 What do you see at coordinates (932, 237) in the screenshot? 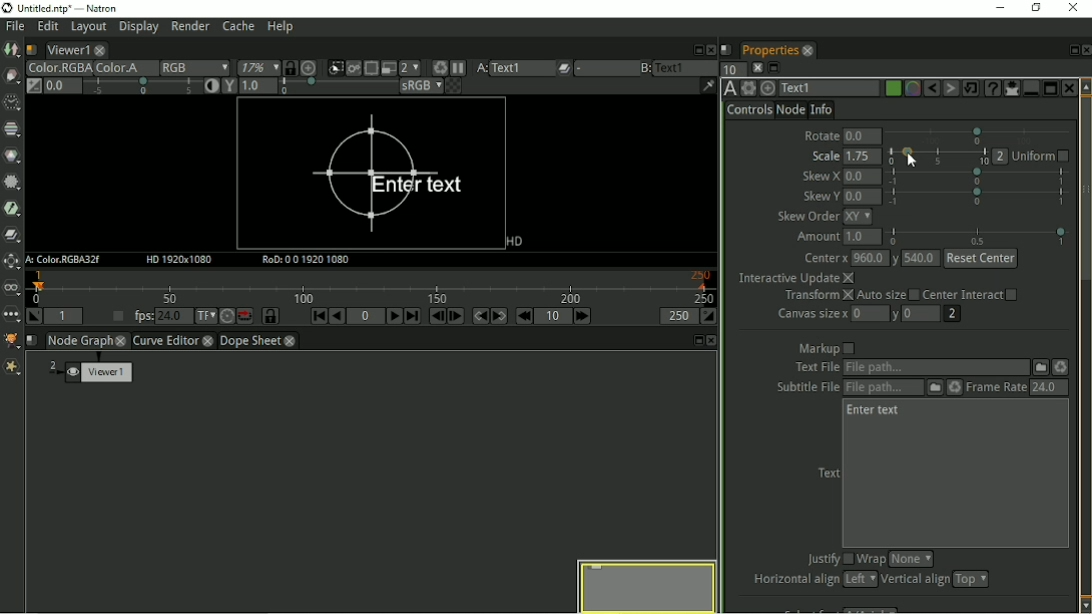
I see `Amount` at bounding box center [932, 237].